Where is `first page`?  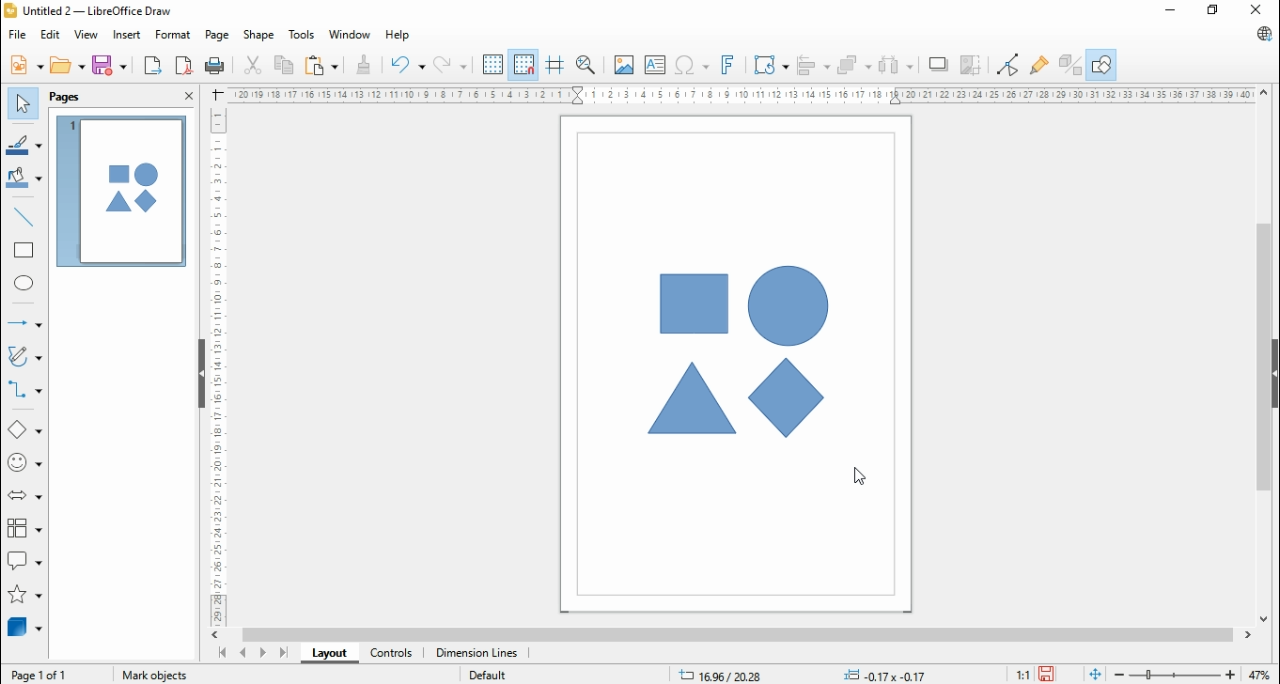
first page is located at coordinates (220, 653).